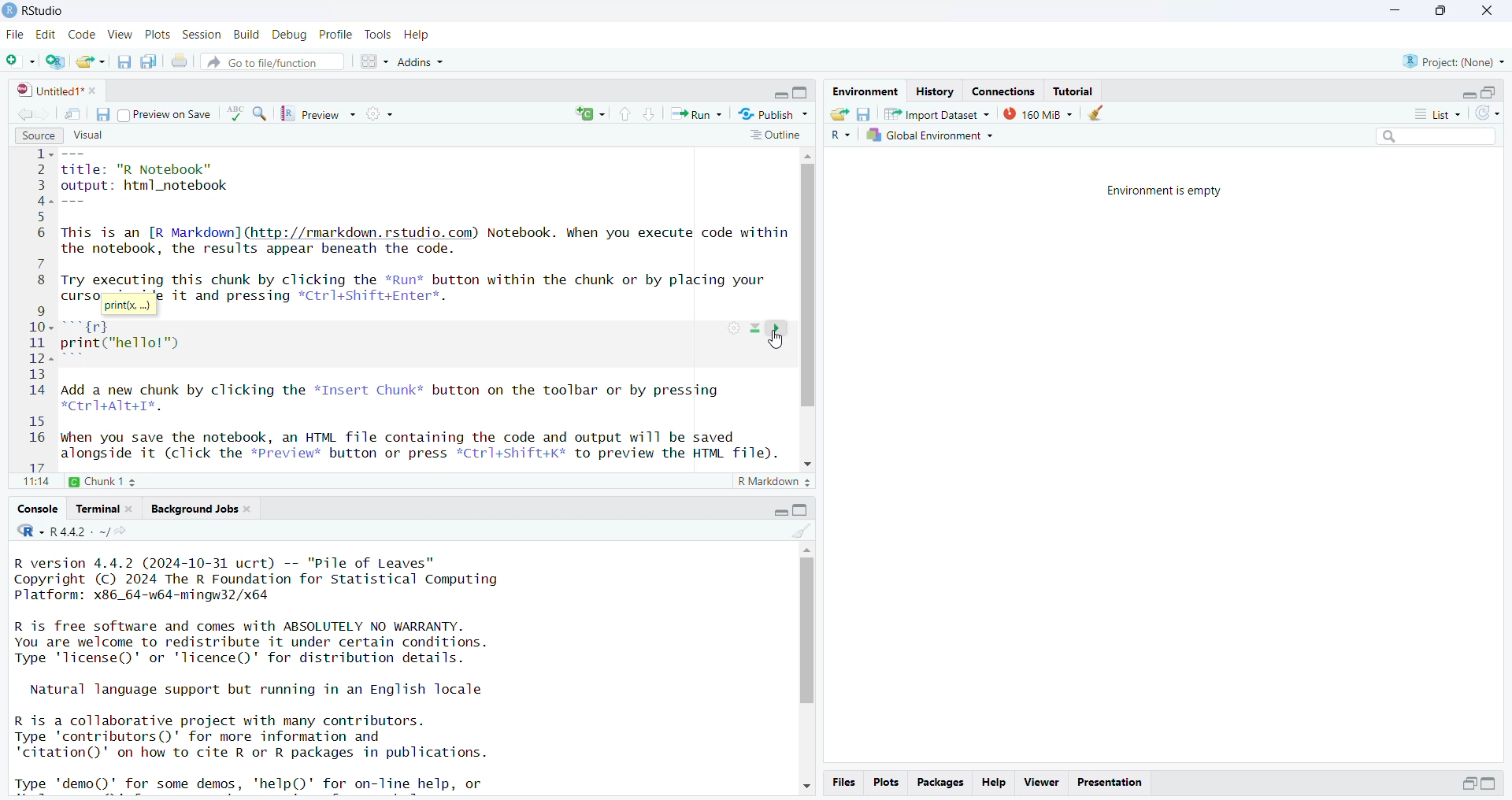  Describe the element at coordinates (1430, 113) in the screenshot. I see `list` at that location.